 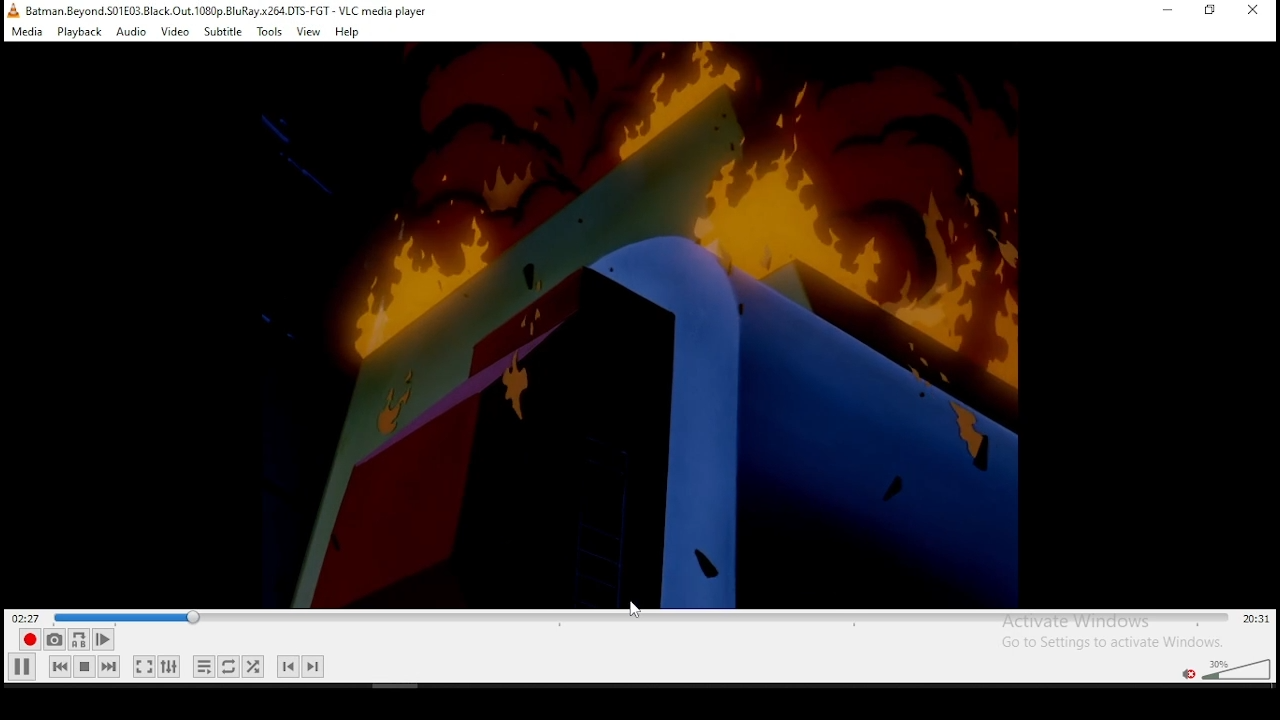 I want to click on seek bar, so click(x=643, y=618).